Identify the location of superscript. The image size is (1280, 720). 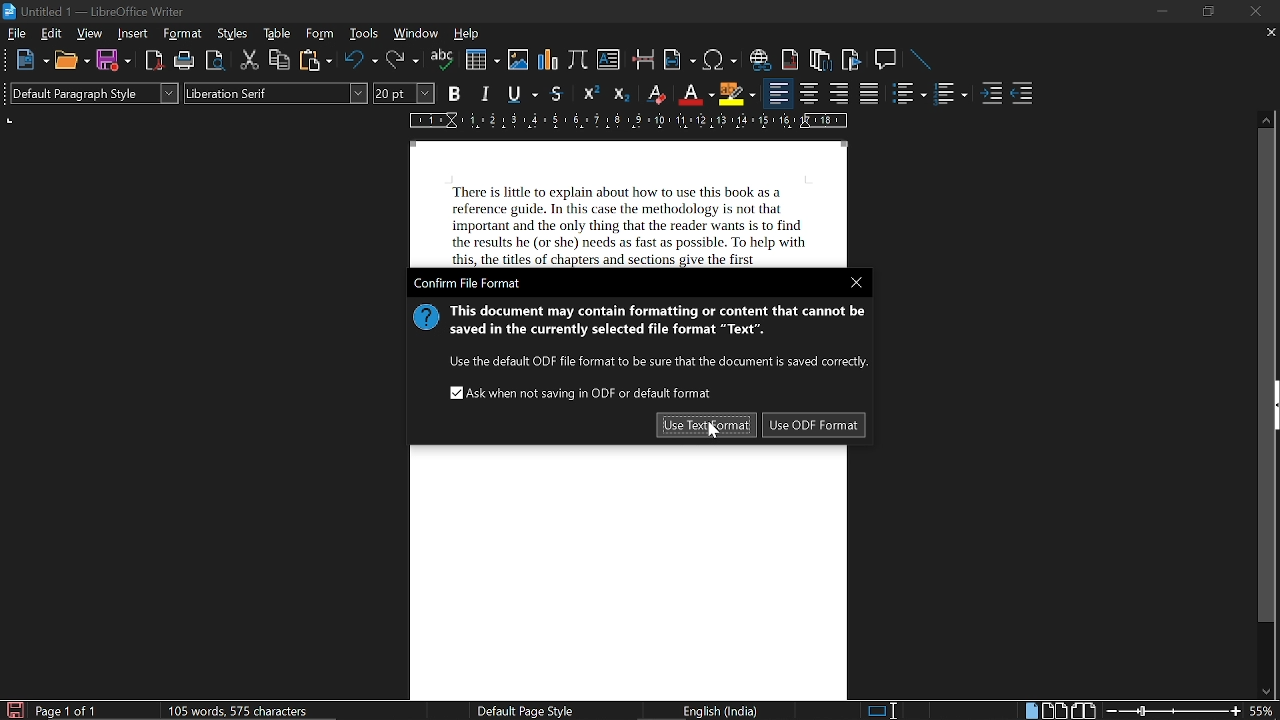
(591, 94).